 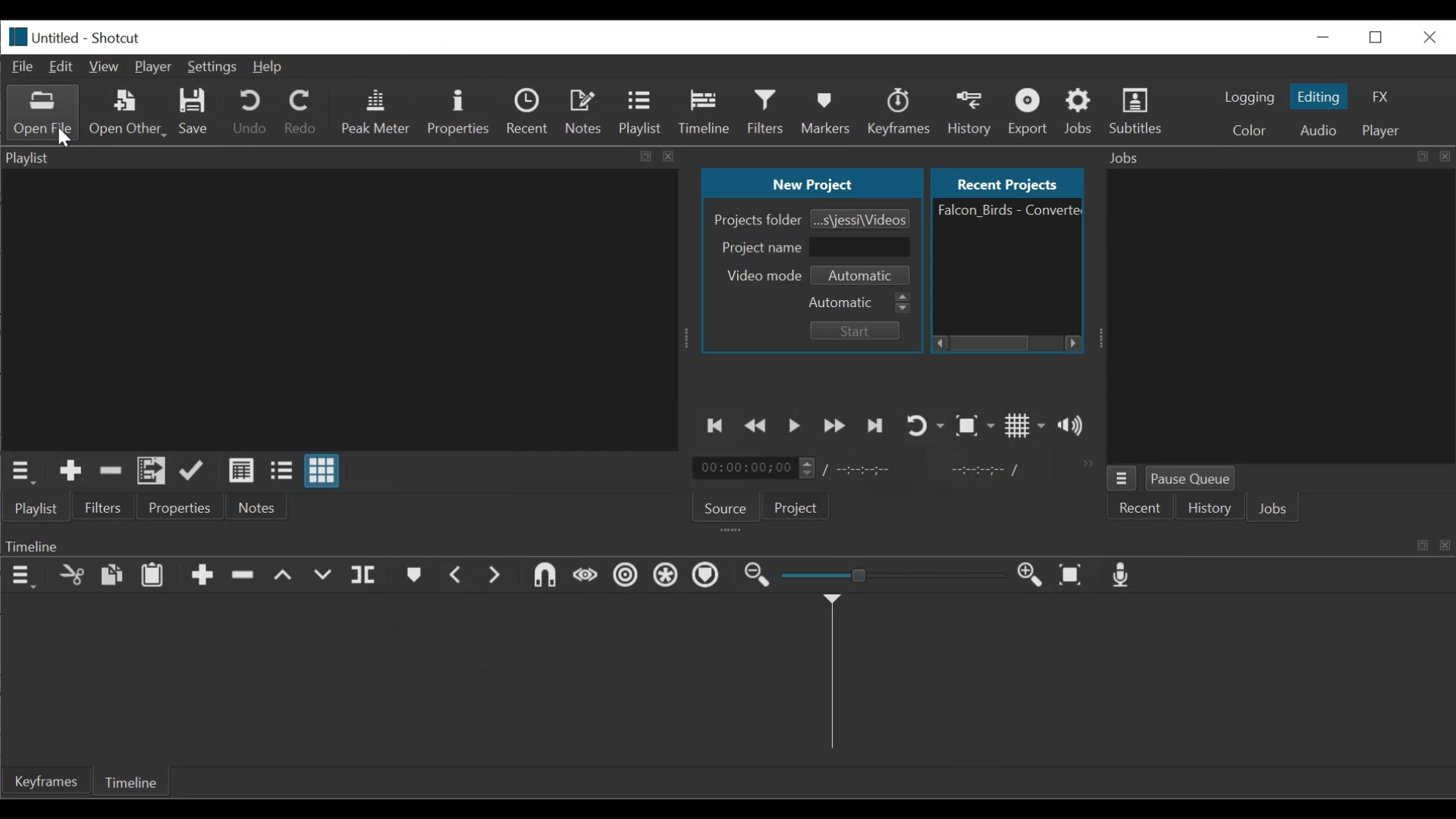 What do you see at coordinates (184, 506) in the screenshot?
I see `Properties` at bounding box center [184, 506].